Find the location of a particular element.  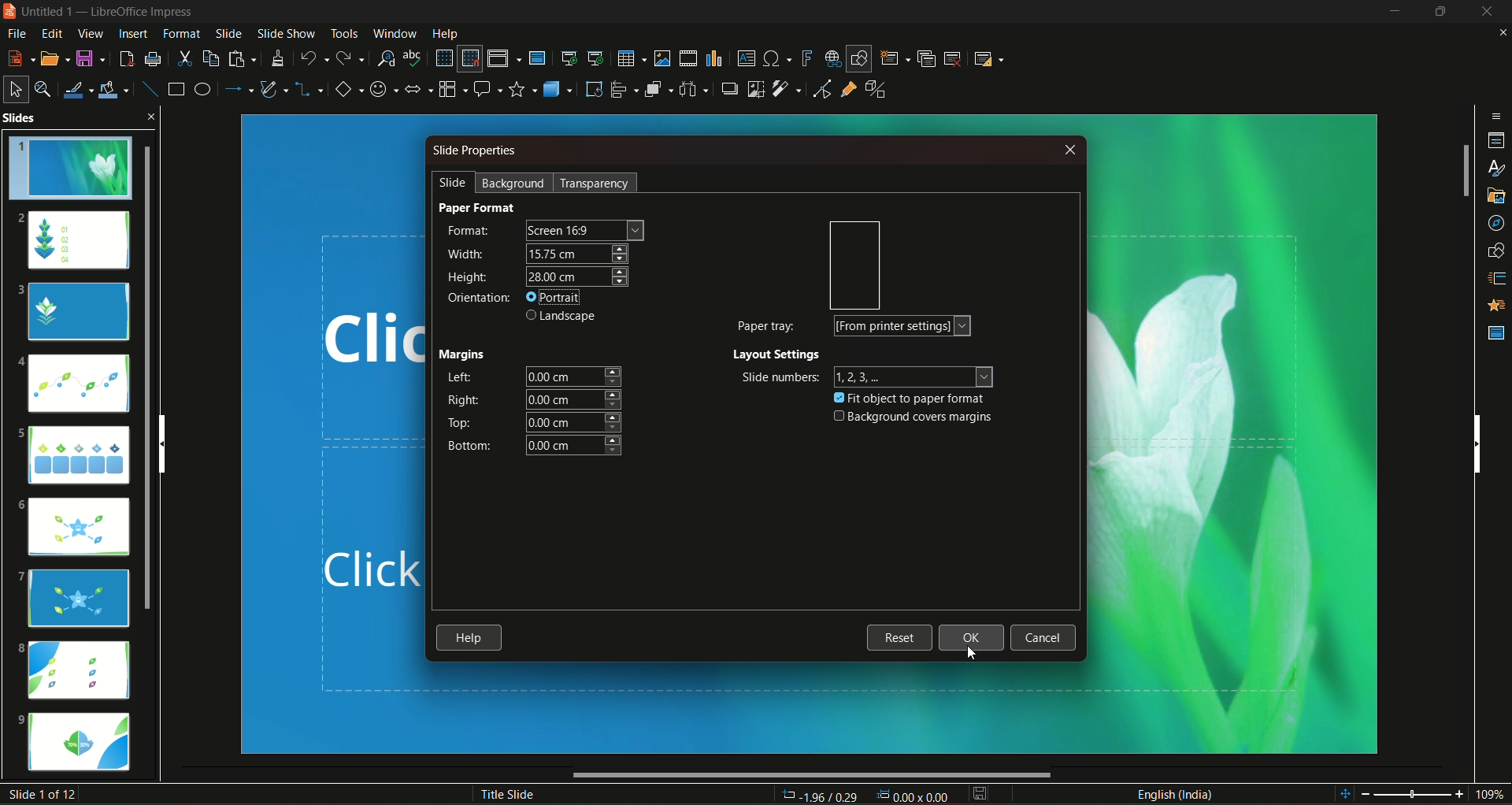

toggle extrusion is located at coordinates (876, 91).